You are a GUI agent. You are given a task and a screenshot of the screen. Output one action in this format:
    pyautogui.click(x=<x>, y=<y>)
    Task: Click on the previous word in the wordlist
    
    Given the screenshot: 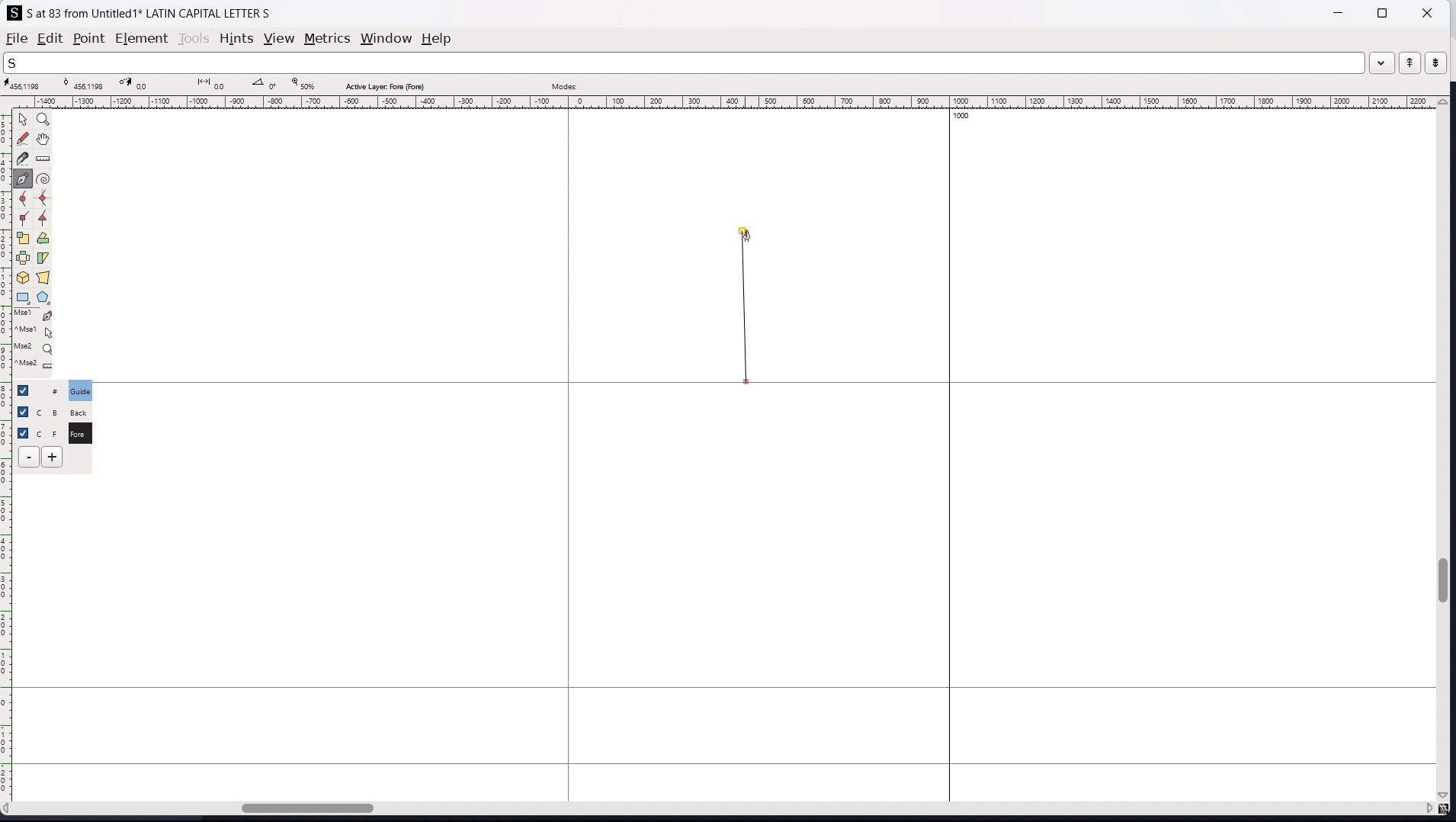 What is the action you would take?
    pyautogui.click(x=1410, y=63)
    